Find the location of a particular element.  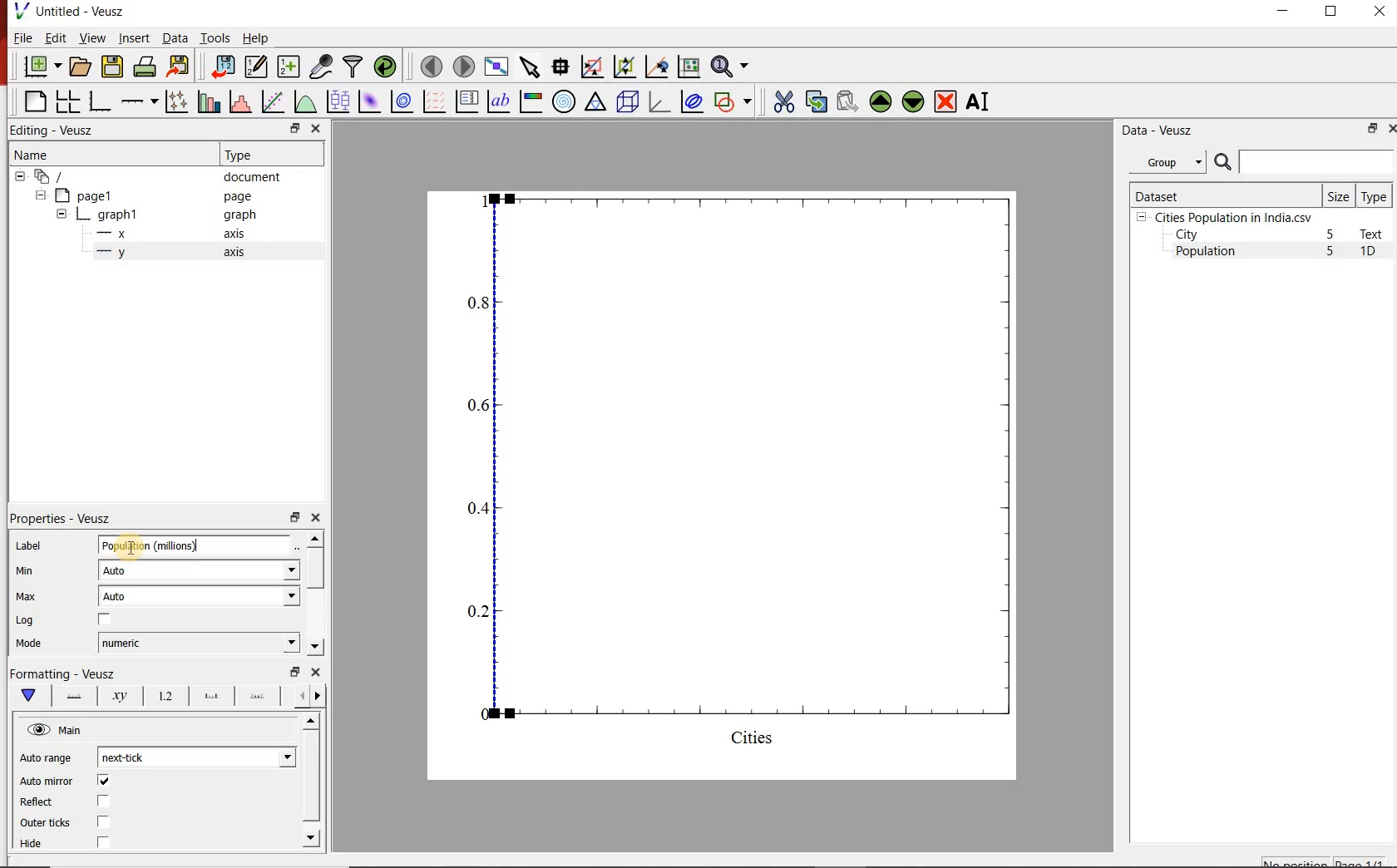

add a shape to the plot is located at coordinates (733, 101).